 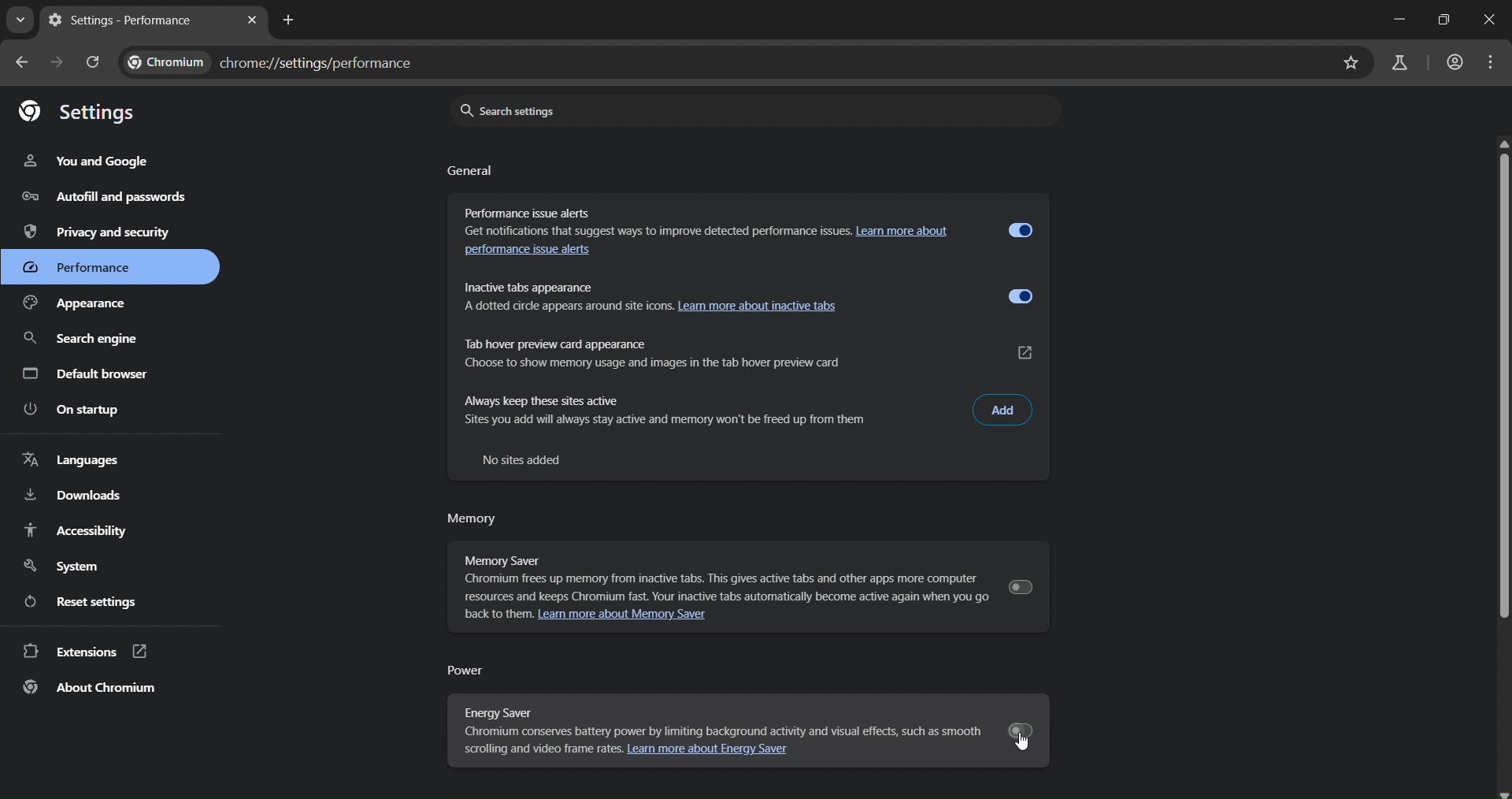 What do you see at coordinates (707, 411) in the screenshot?
I see `always keep these sites active` at bounding box center [707, 411].